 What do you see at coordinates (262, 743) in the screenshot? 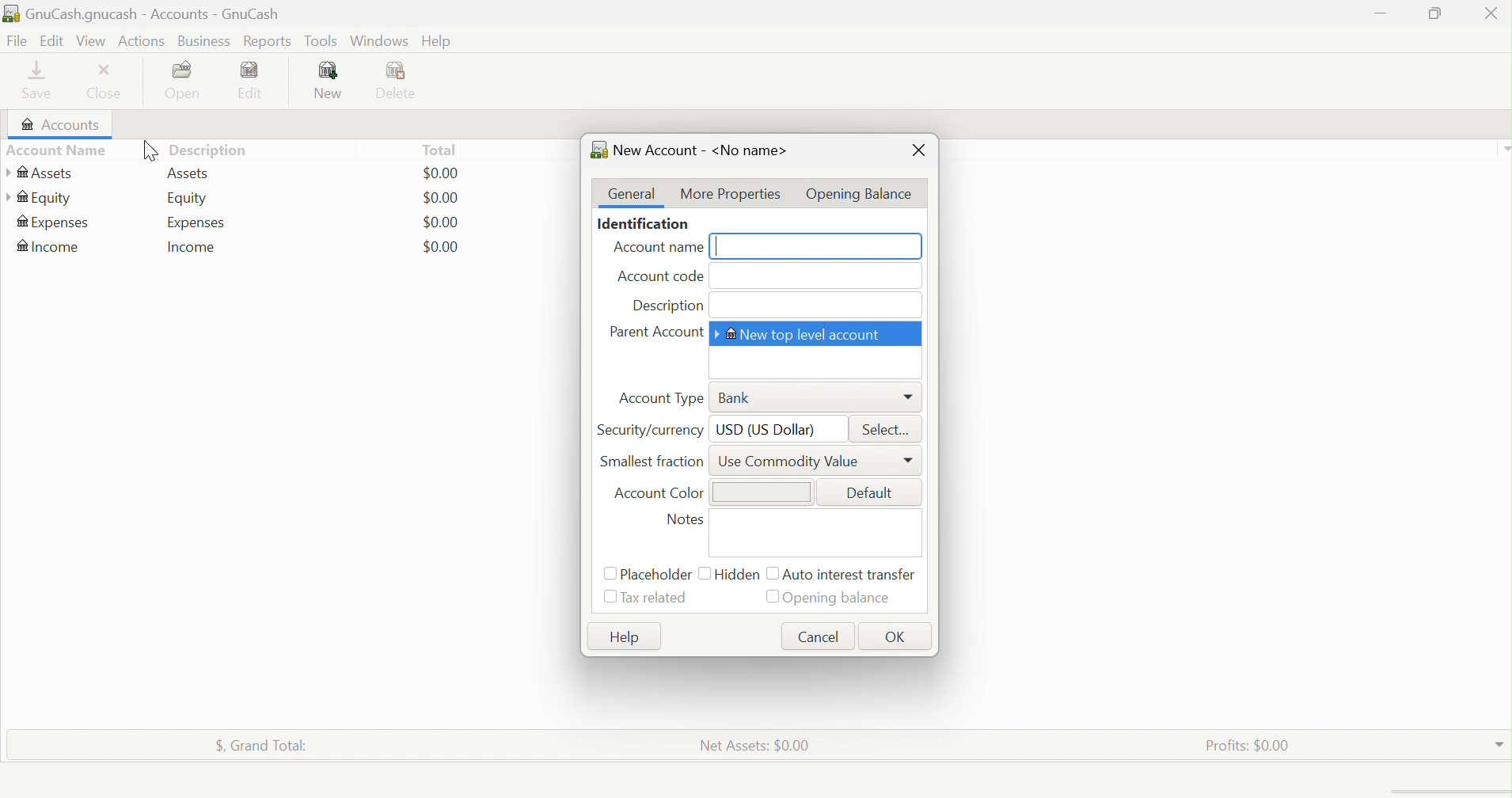
I see `$, Grand Total` at bounding box center [262, 743].